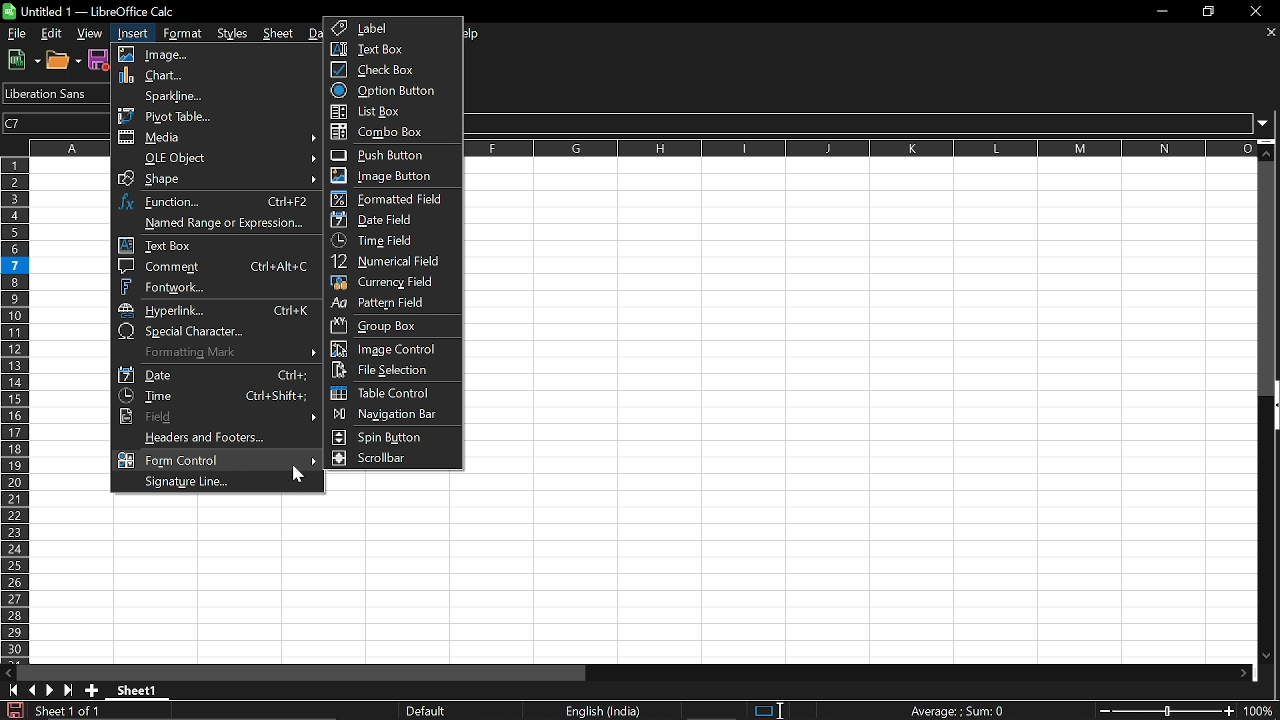 The image size is (1280, 720). Describe the element at coordinates (380, 220) in the screenshot. I see `date field` at that location.